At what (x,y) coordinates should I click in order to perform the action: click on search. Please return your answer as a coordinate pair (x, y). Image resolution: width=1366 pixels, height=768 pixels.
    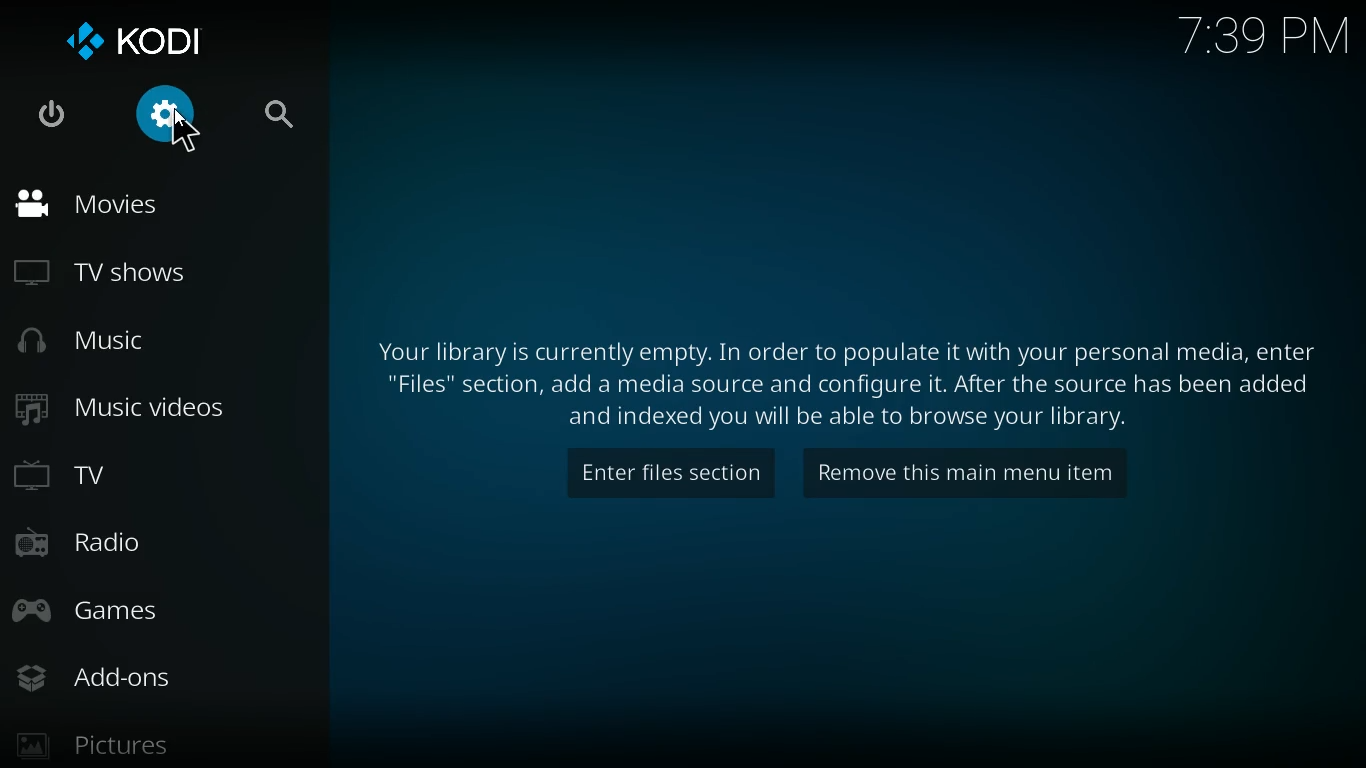
    Looking at the image, I should click on (279, 110).